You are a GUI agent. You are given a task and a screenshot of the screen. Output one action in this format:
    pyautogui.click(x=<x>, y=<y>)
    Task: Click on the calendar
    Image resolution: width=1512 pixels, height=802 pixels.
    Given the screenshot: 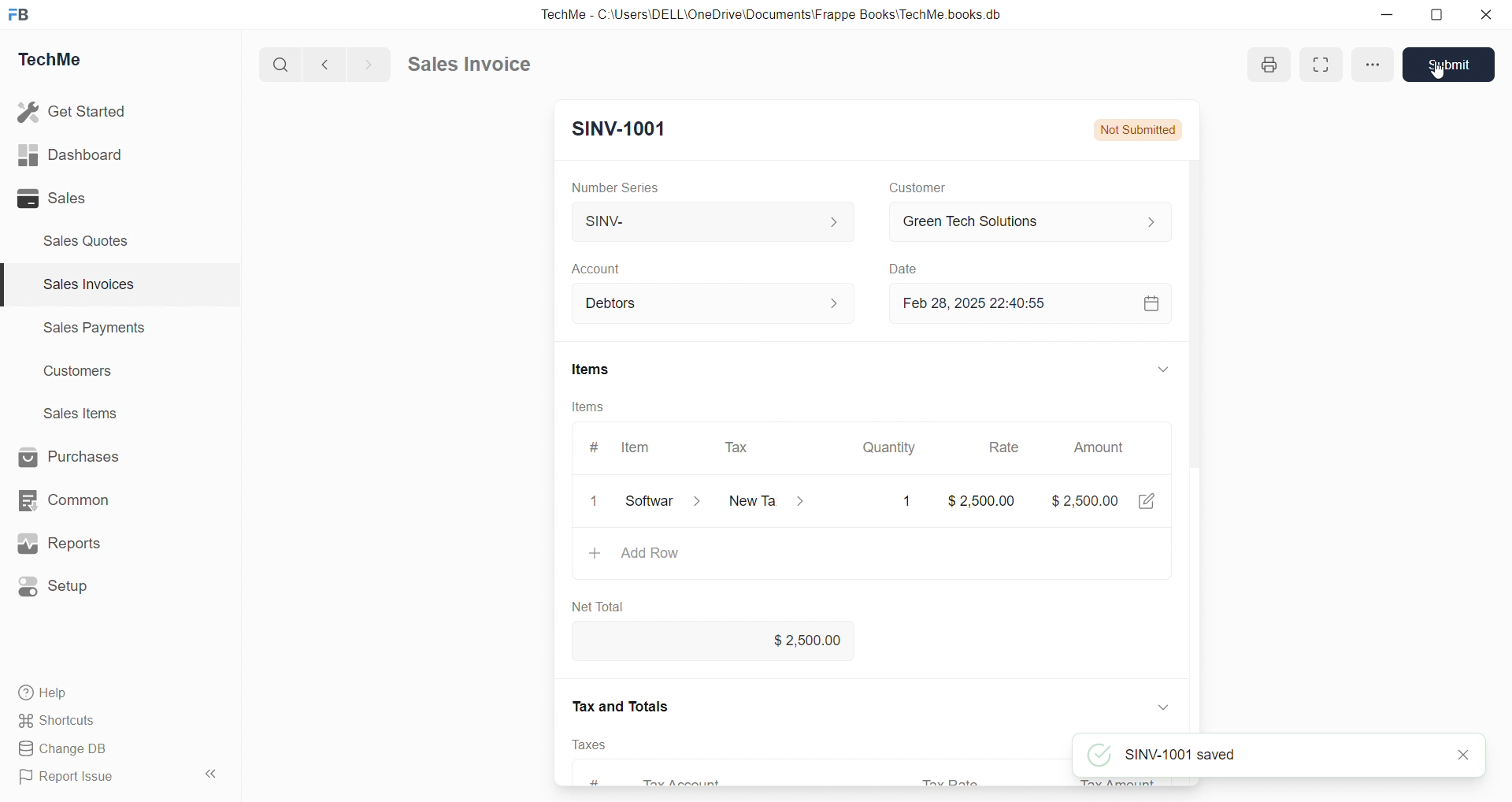 What is the action you would take?
    pyautogui.click(x=1151, y=303)
    